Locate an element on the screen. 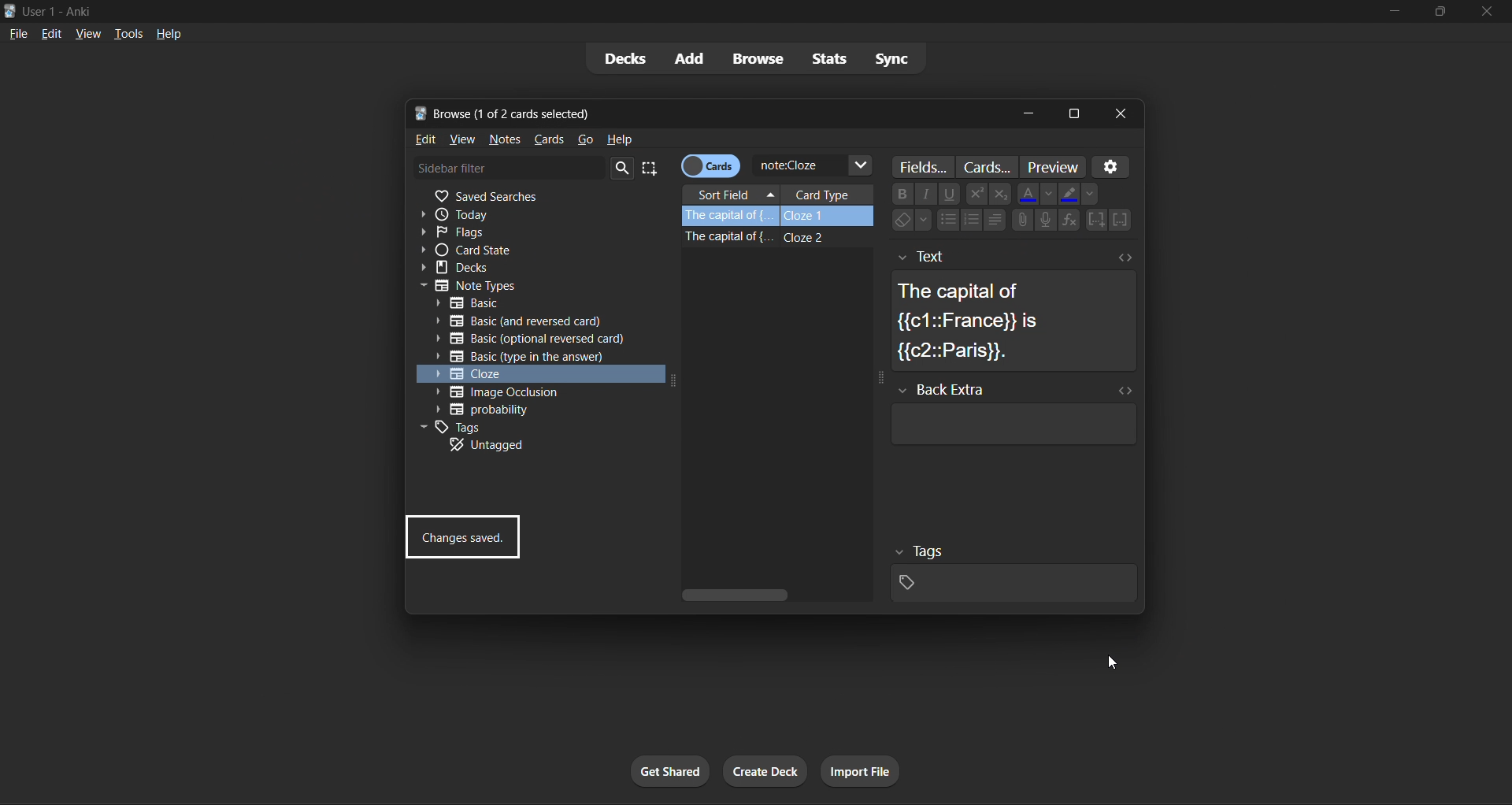 This screenshot has width=1512, height=805. maximize is located at coordinates (1073, 114).